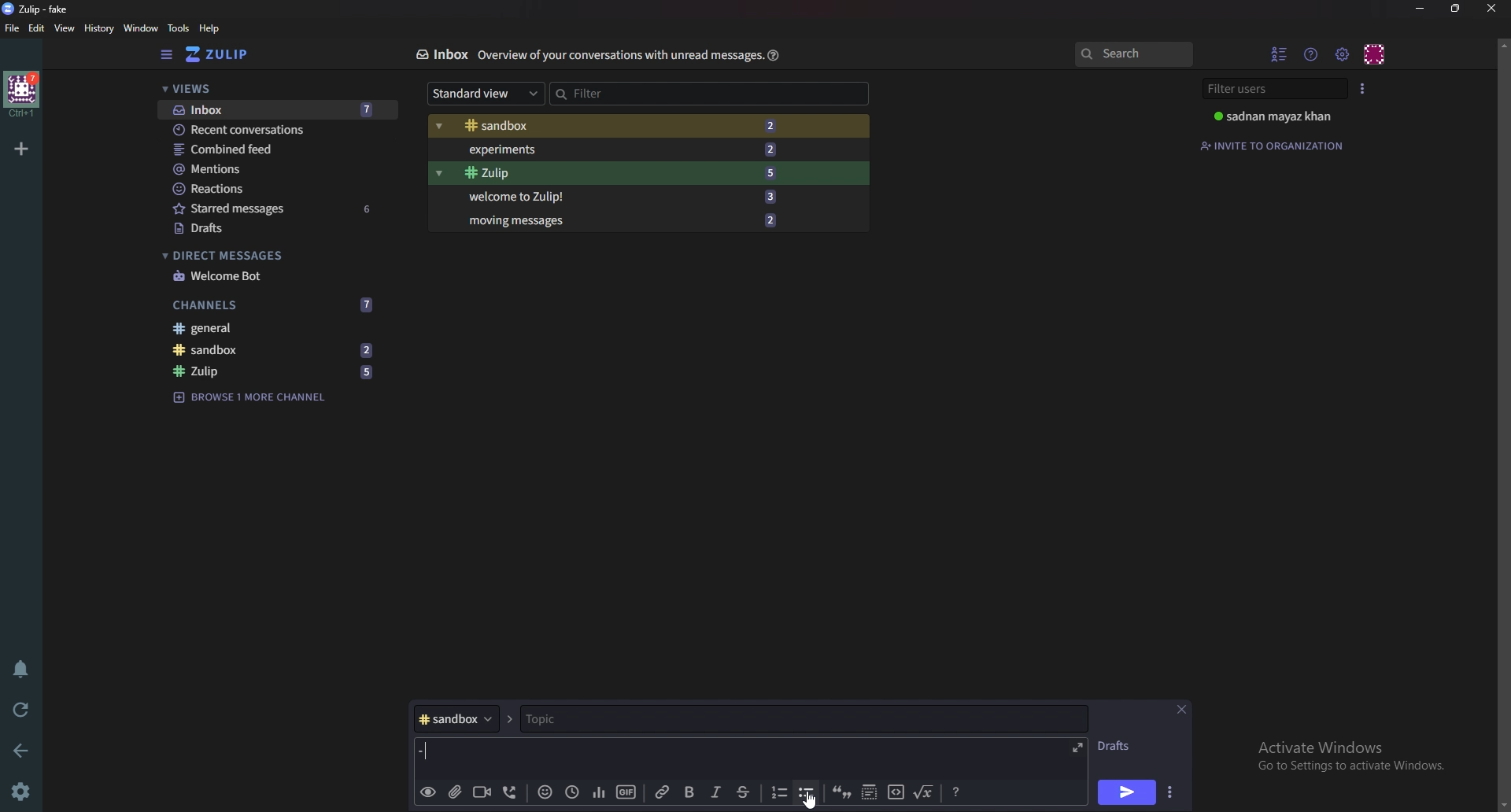  What do you see at coordinates (1180, 710) in the screenshot?
I see `Close message` at bounding box center [1180, 710].